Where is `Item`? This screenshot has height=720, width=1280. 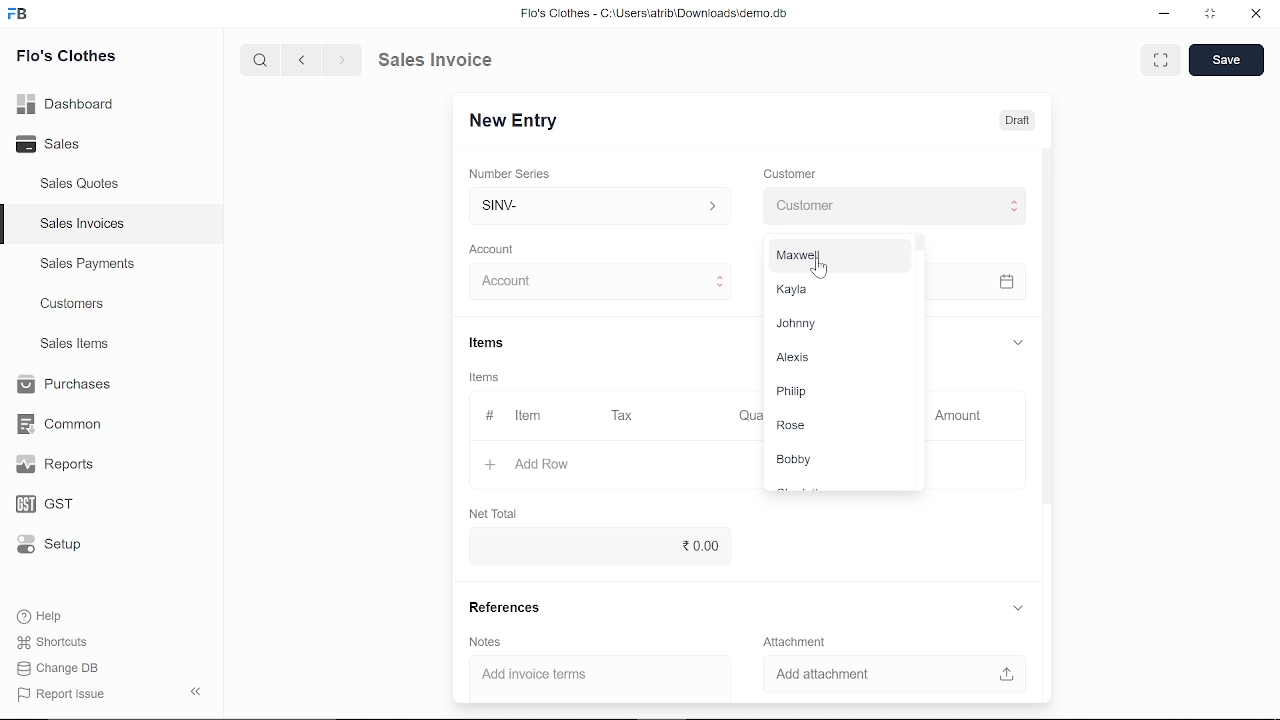 Item is located at coordinates (517, 417).